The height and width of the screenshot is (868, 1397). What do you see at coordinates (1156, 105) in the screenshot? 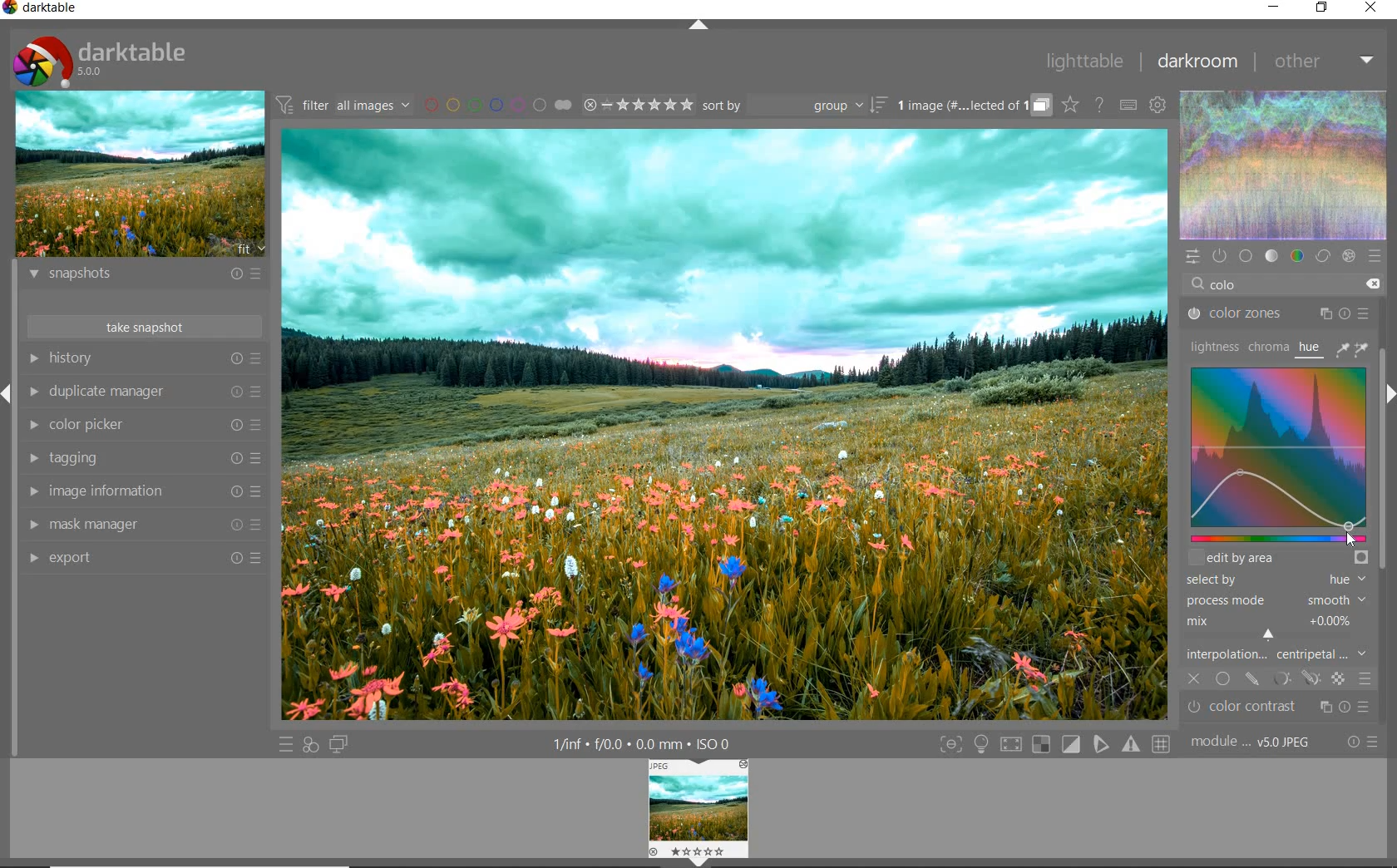
I see `show global preferences` at bounding box center [1156, 105].